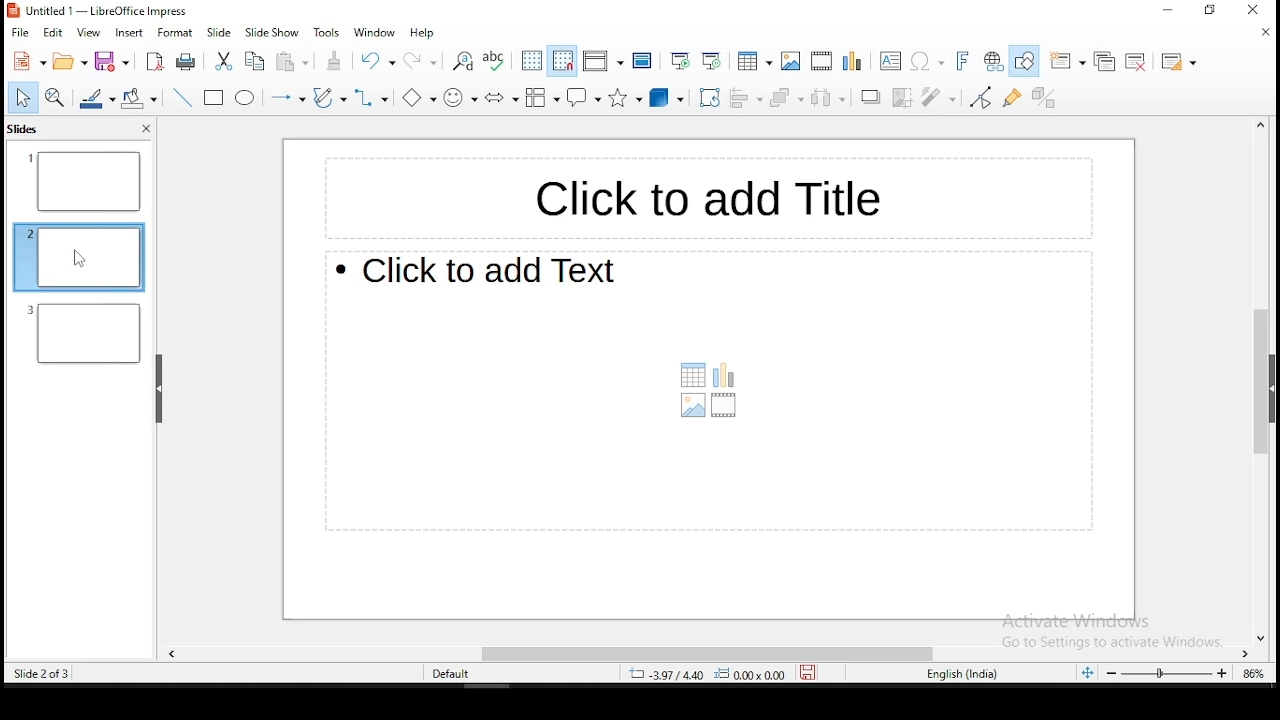 This screenshot has width=1280, height=720. Describe the element at coordinates (540, 99) in the screenshot. I see `flowchart` at that location.